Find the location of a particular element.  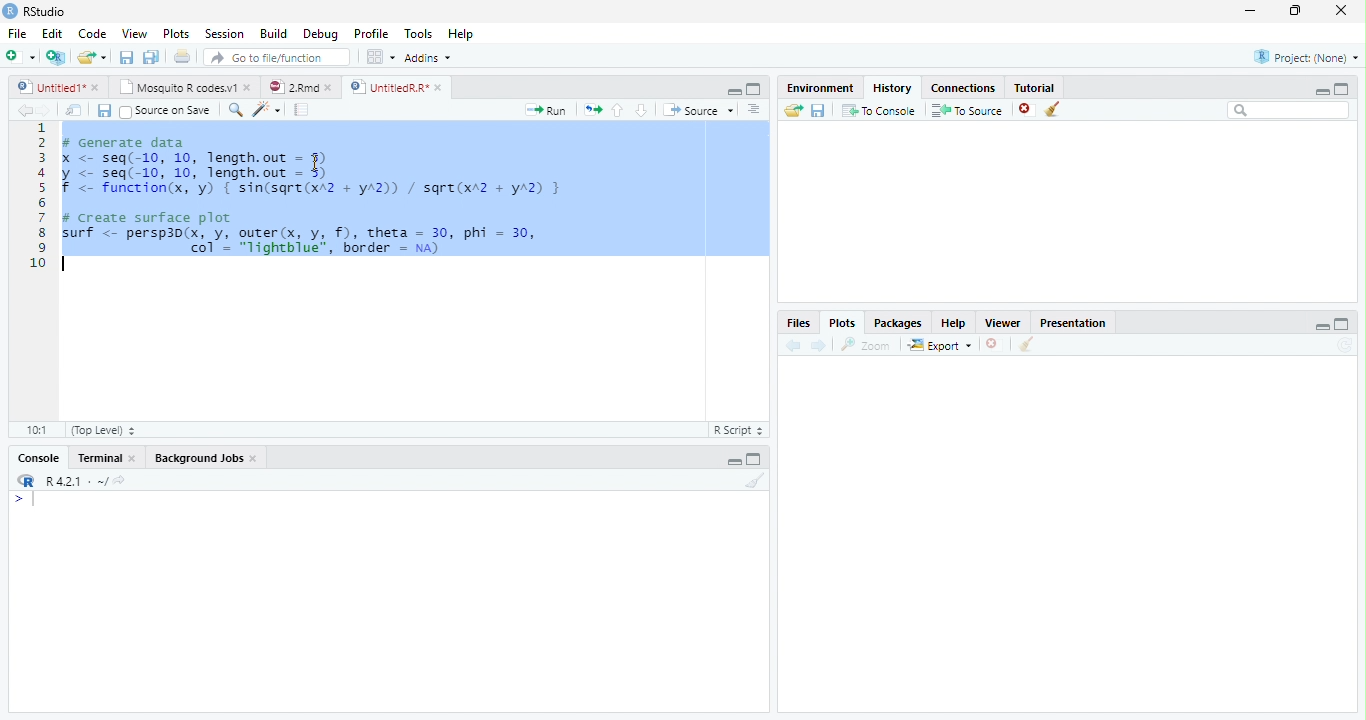

Source on Save is located at coordinates (167, 110).